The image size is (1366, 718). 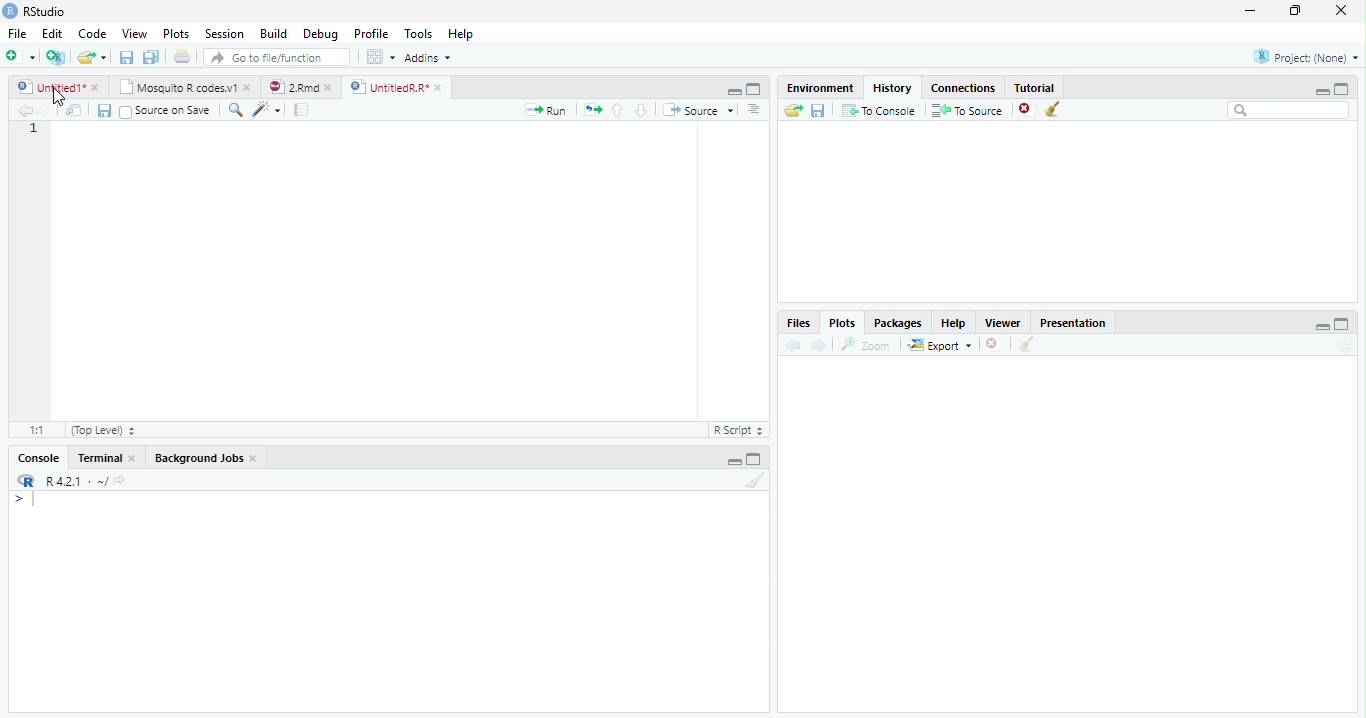 I want to click on Pages, so click(x=301, y=111).